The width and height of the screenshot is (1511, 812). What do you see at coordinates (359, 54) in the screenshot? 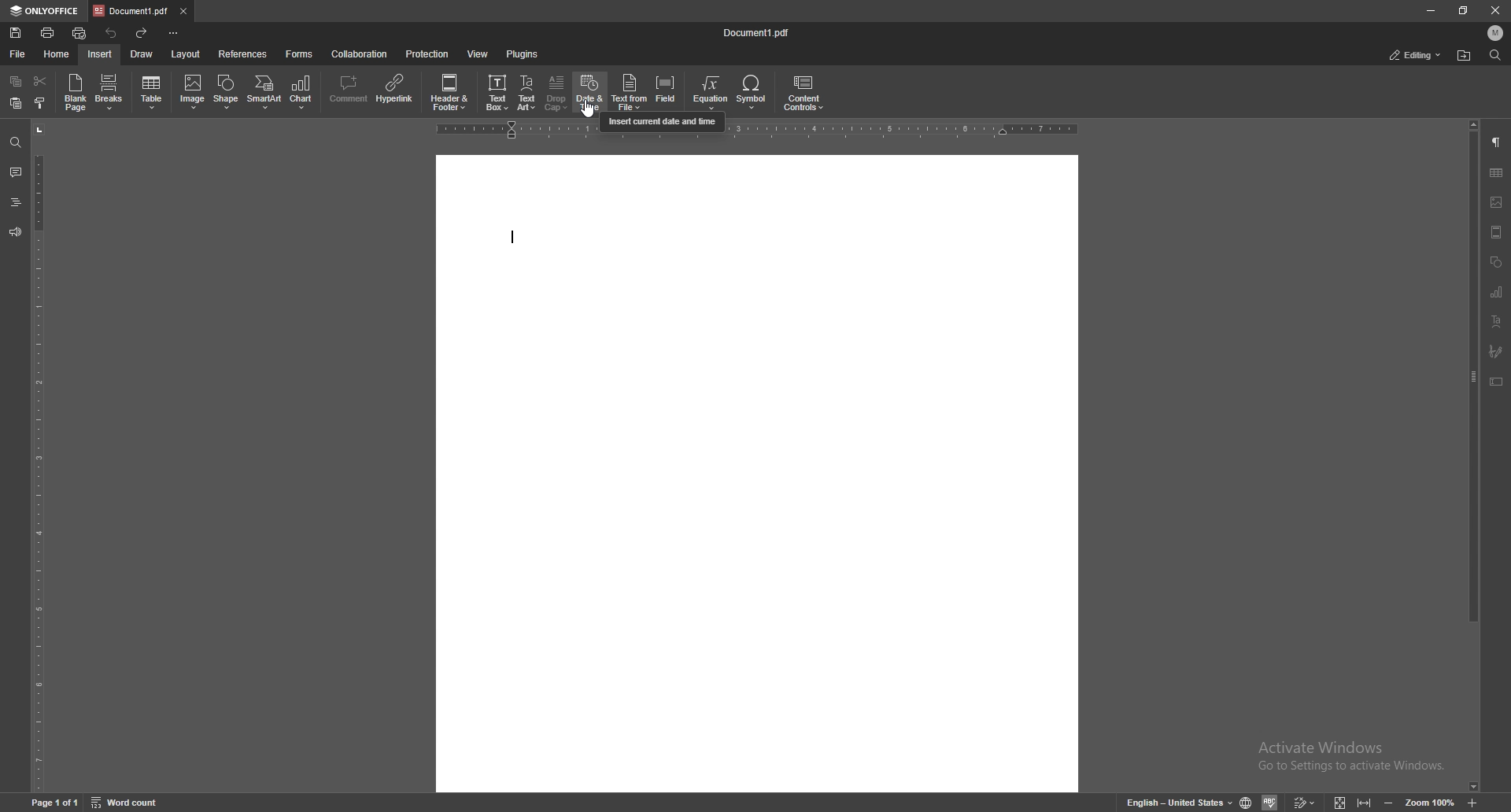
I see `collaboration` at bounding box center [359, 54].